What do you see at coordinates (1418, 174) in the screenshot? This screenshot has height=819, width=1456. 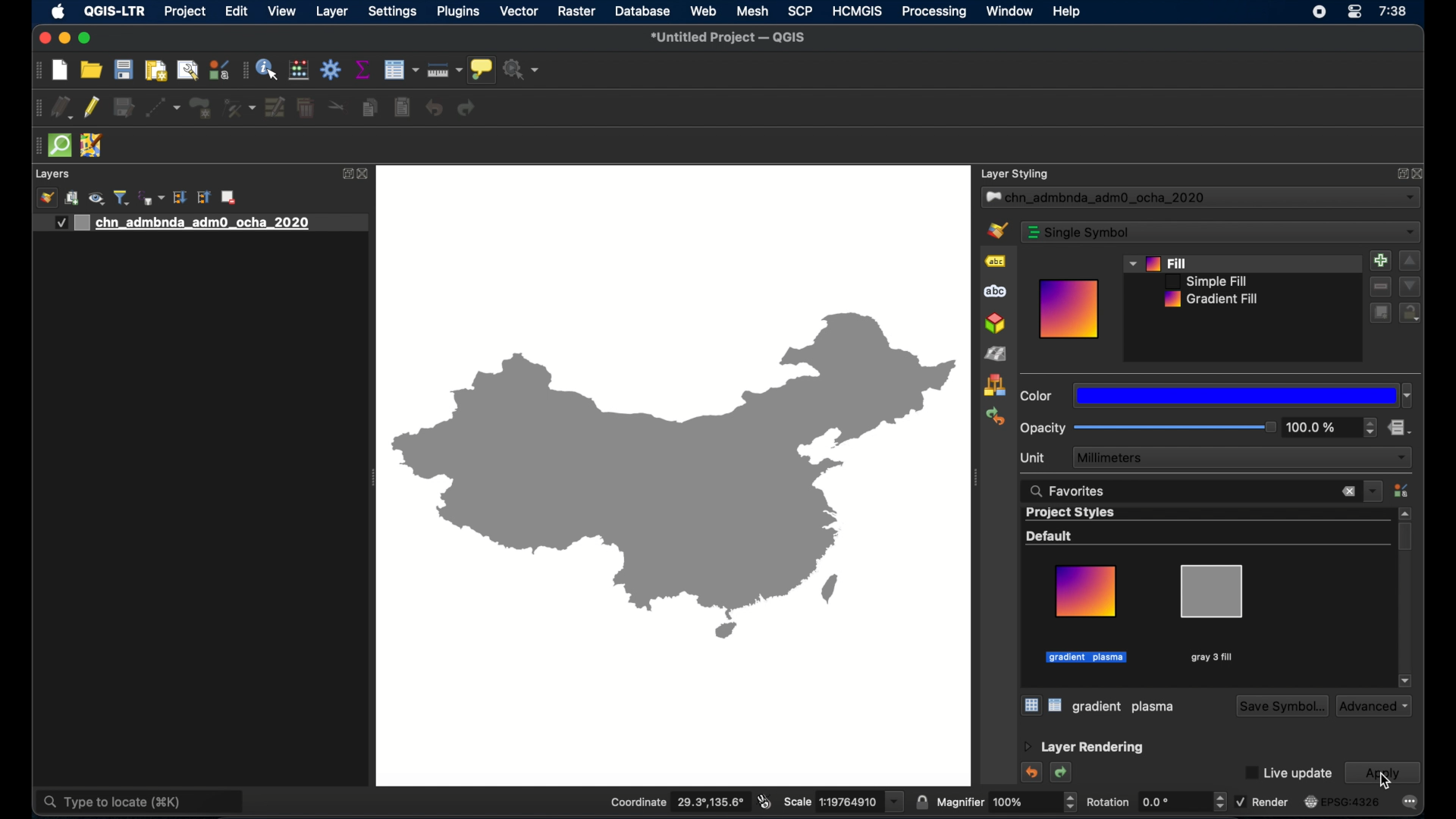 I see `close` at bounding box center [1418, 174].